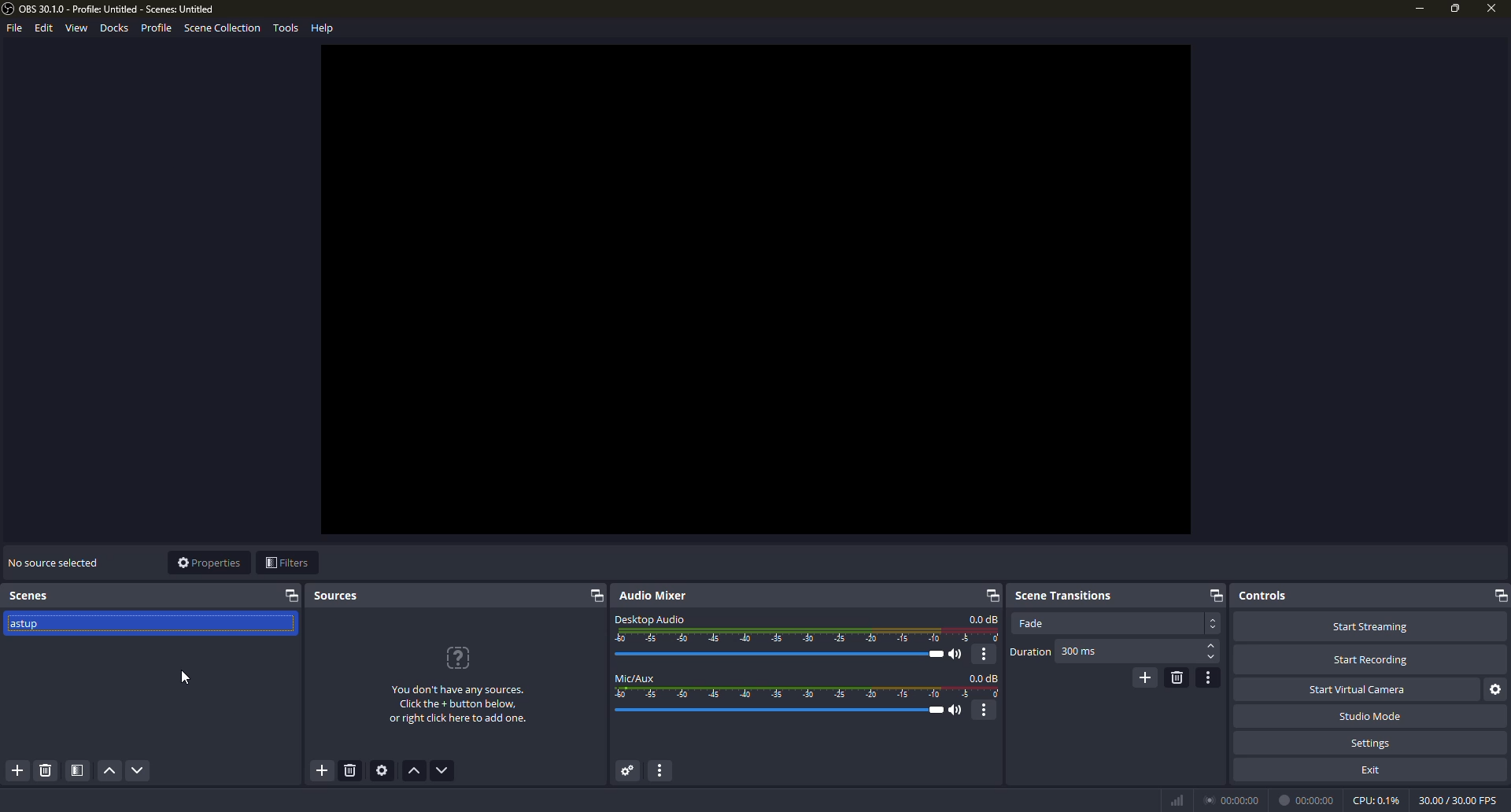 The width and height of the screenshot is (1511, 812). I want to click on drop down, so click(1214, 623).